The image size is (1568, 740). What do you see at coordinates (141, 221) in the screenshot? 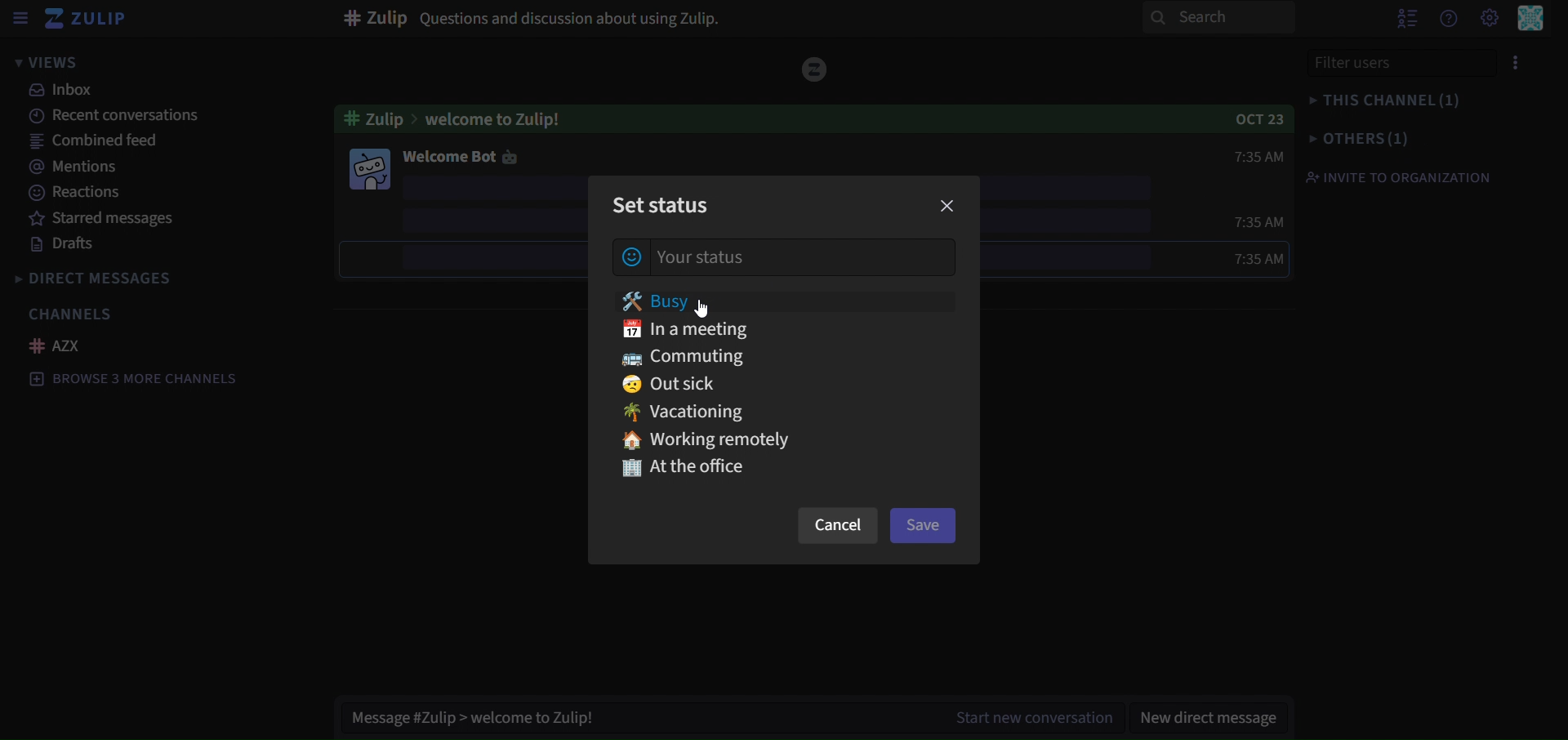
I see `starred messages` at bounding box center [141, 221].